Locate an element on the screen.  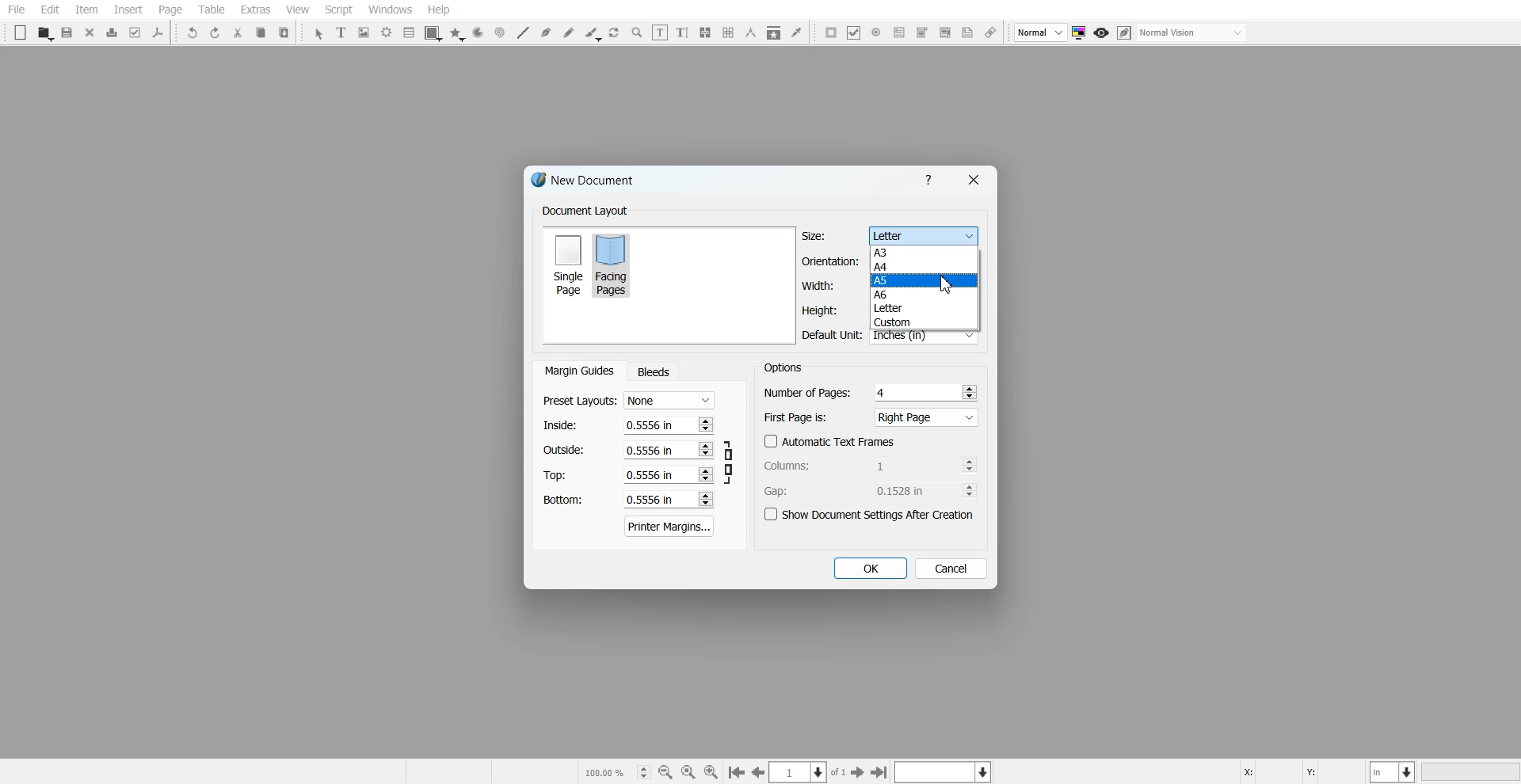
Edit Text is located at coordinates (682, 32).